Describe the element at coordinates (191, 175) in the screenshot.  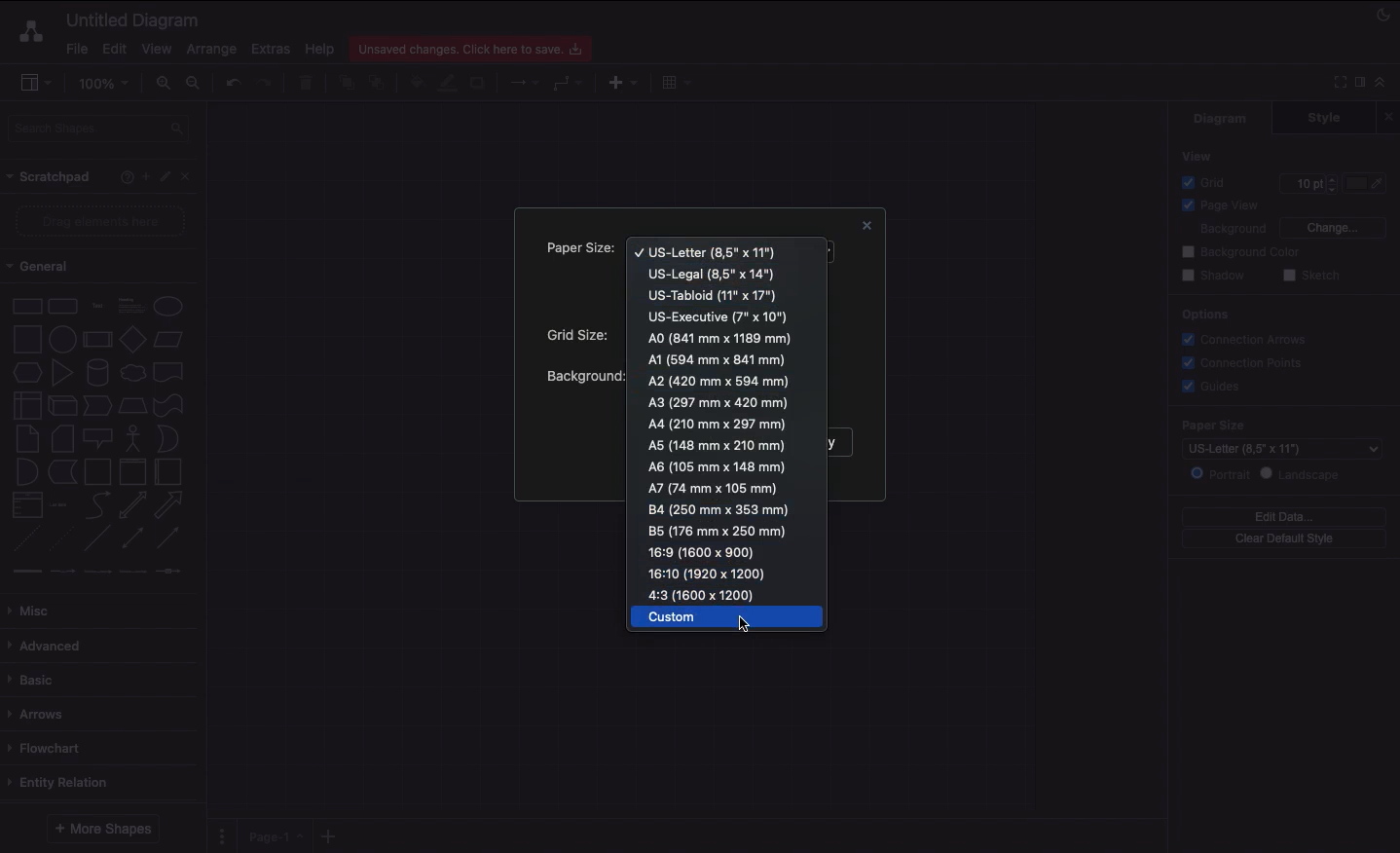
I see `Close` at that location.